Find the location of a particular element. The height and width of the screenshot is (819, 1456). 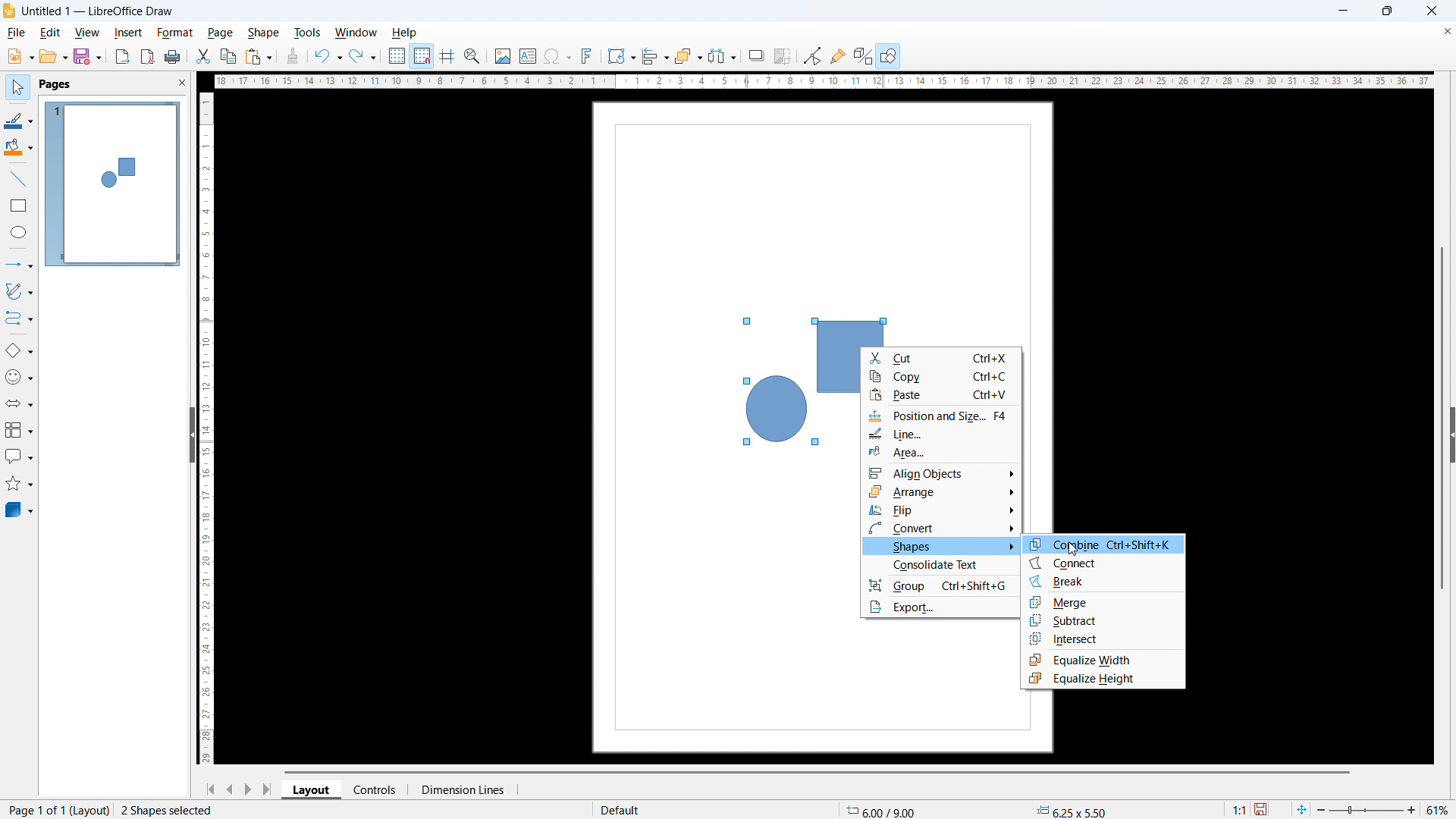

position and size is located at coordinates (941, 414).